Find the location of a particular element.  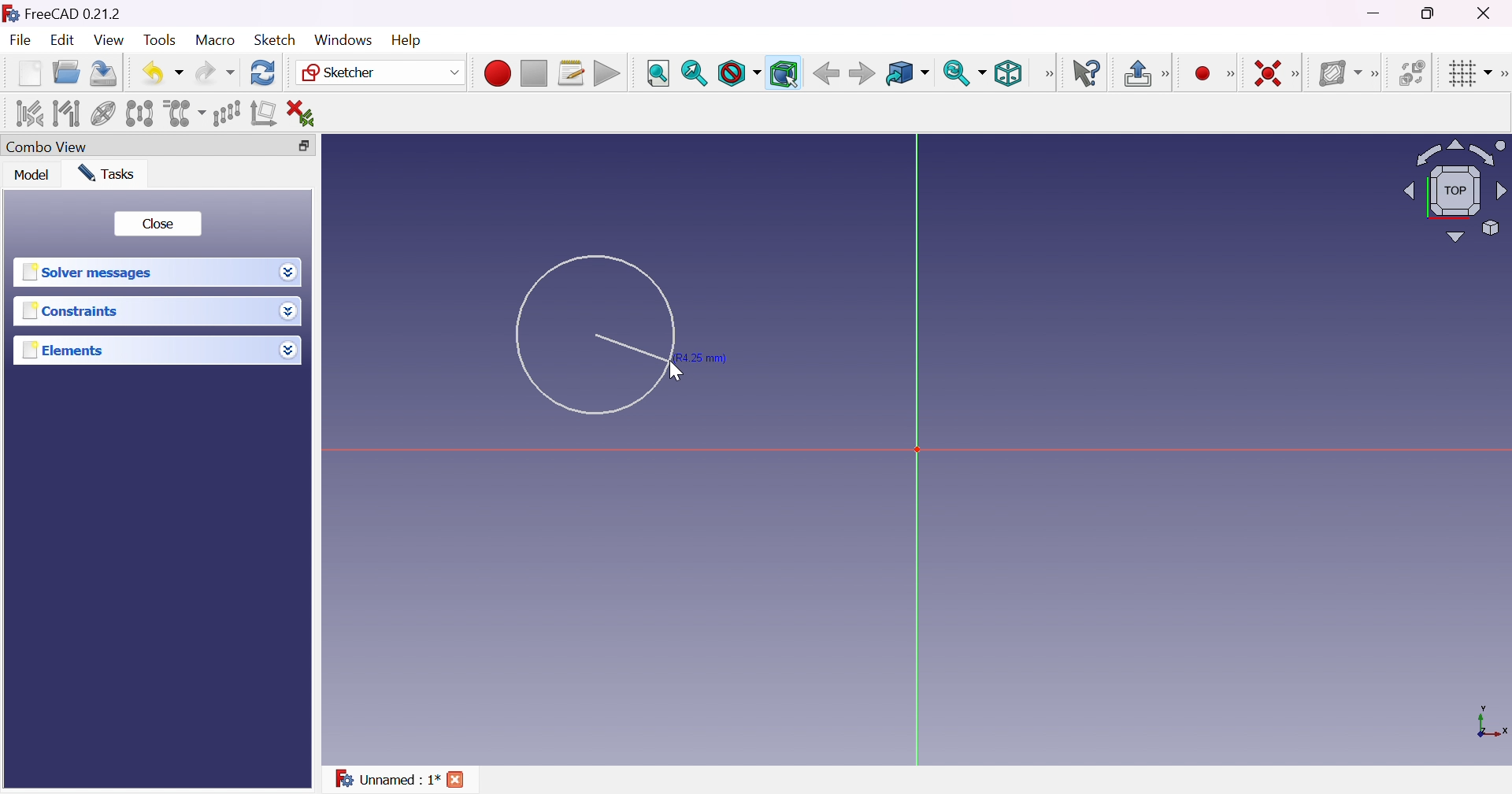

Close is located at coordinates (159, 222).